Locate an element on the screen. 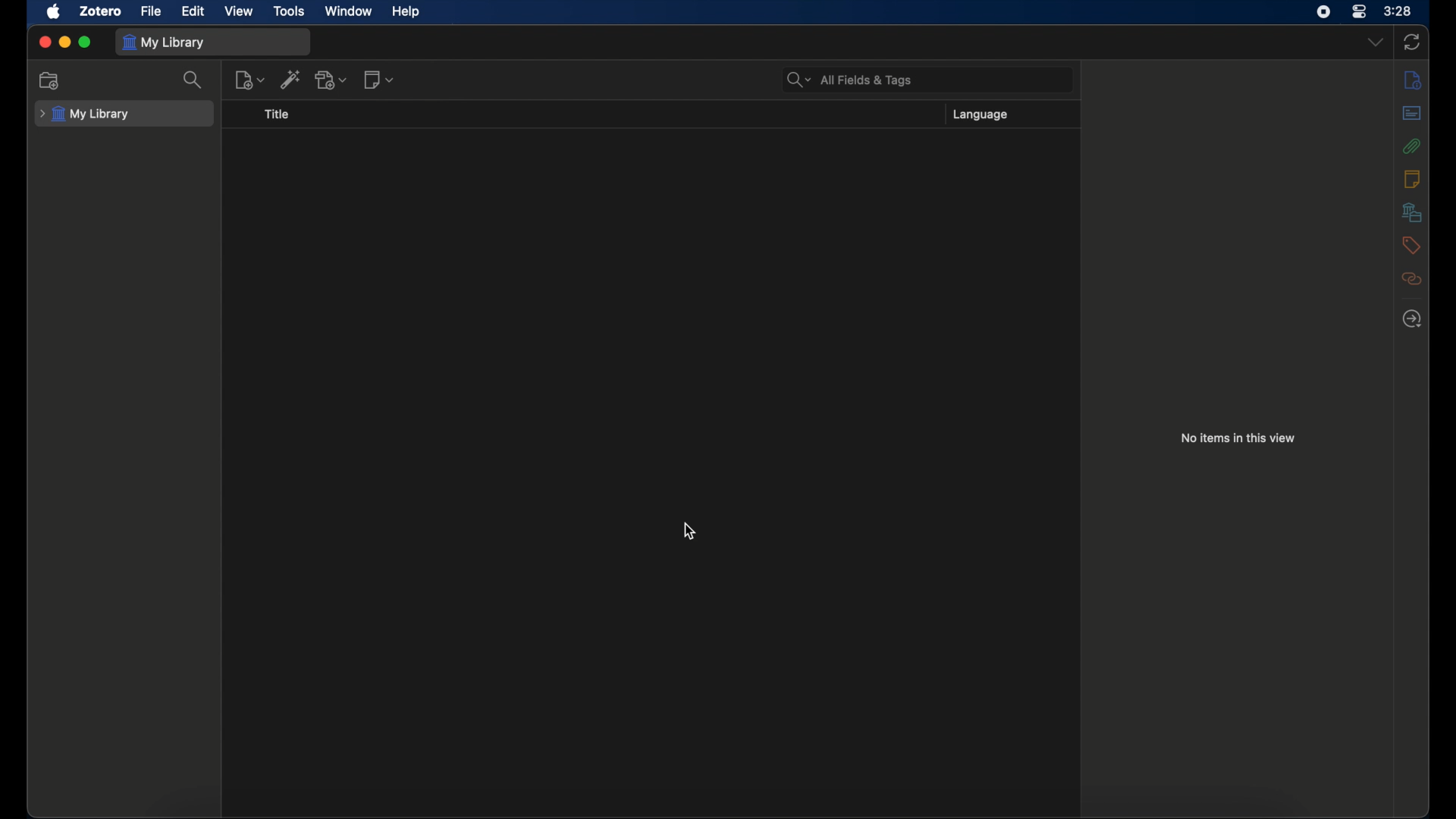  cursor is located at coordinates (689, 532).